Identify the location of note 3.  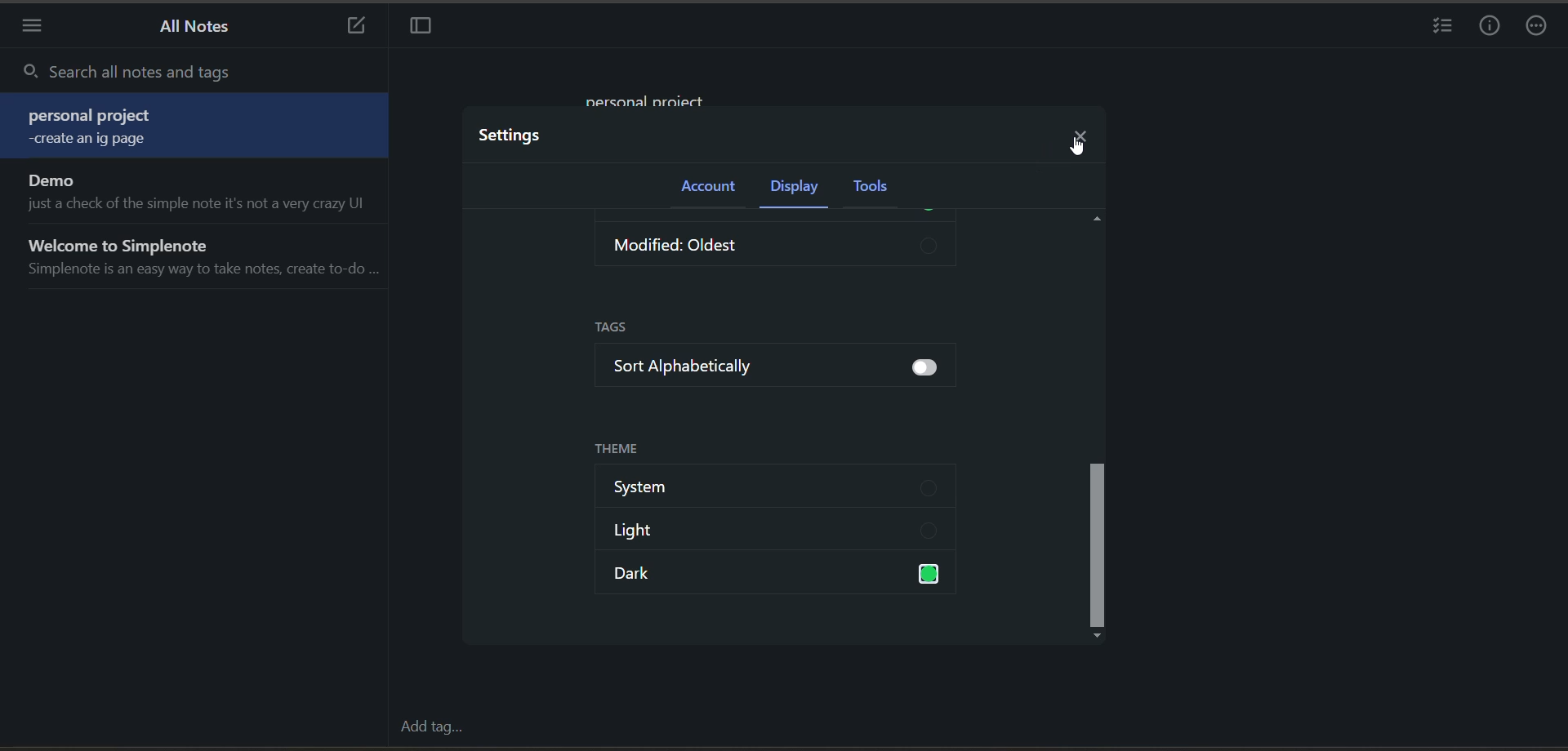
(200, 255).